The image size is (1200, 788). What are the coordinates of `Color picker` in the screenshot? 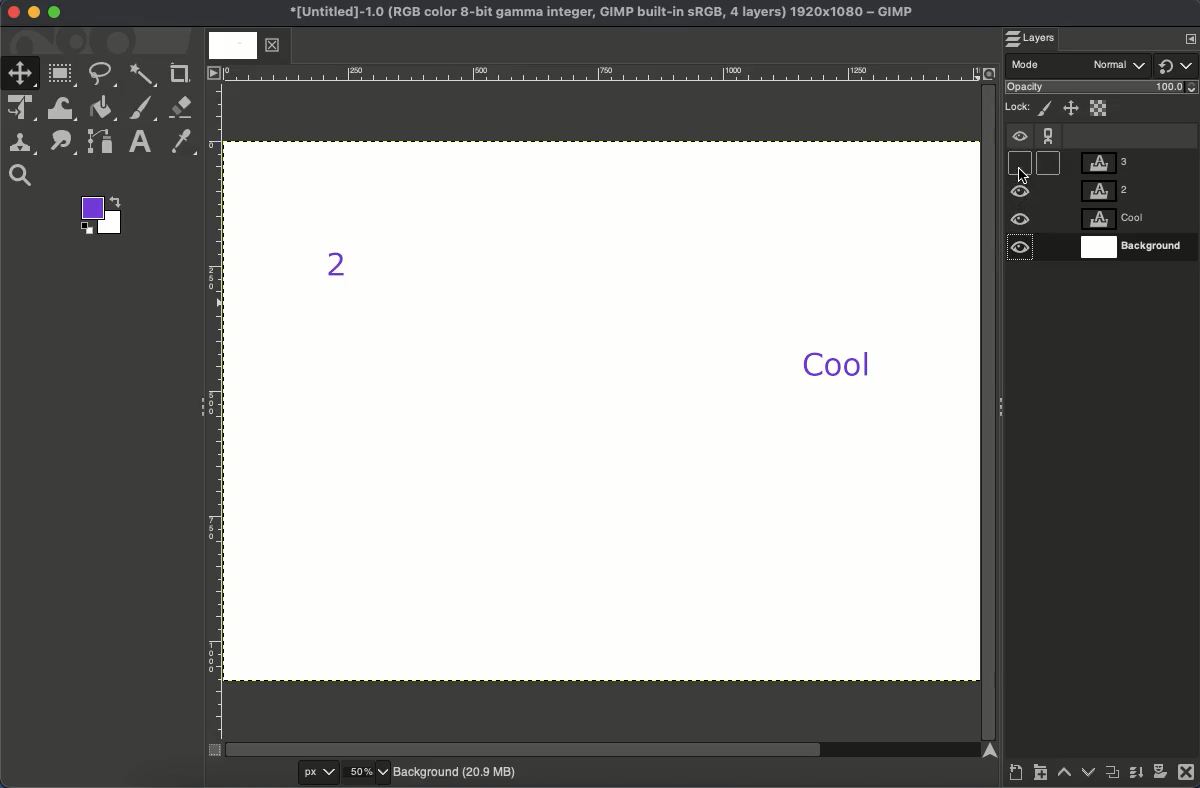 It's located at (184, 143).